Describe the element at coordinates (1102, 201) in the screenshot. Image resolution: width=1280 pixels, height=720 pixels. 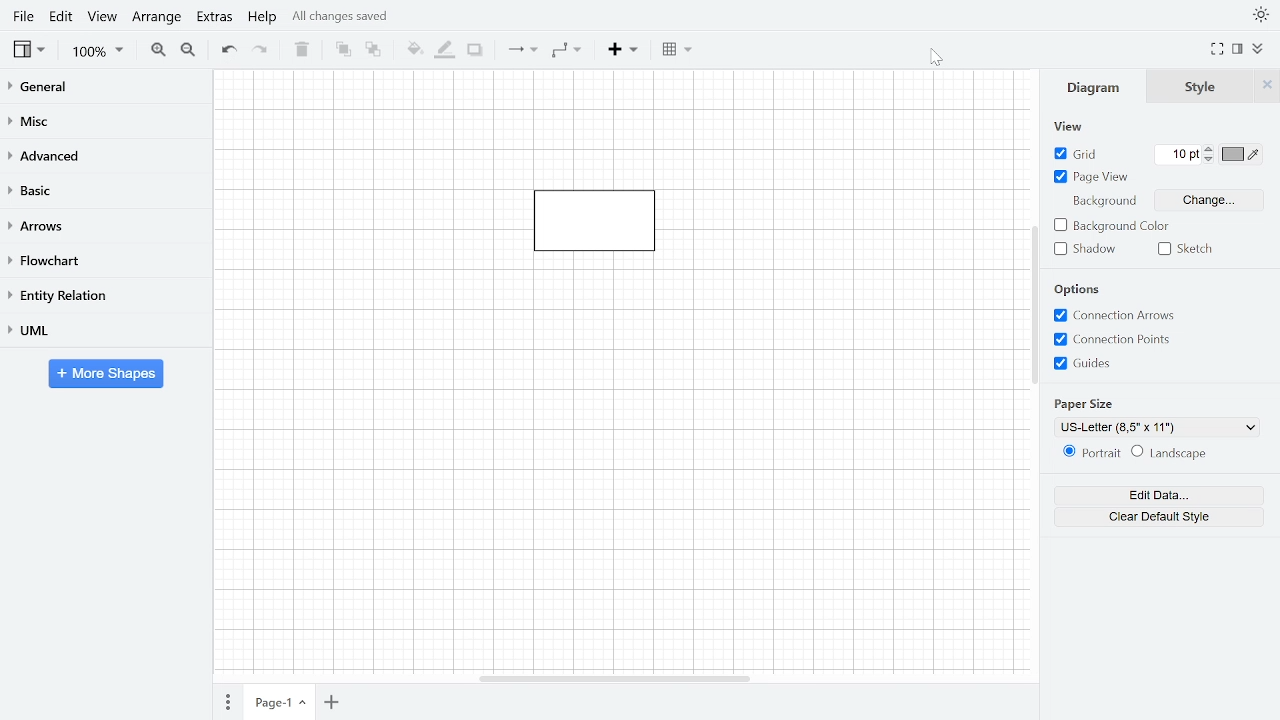
I see `Background` at that location.